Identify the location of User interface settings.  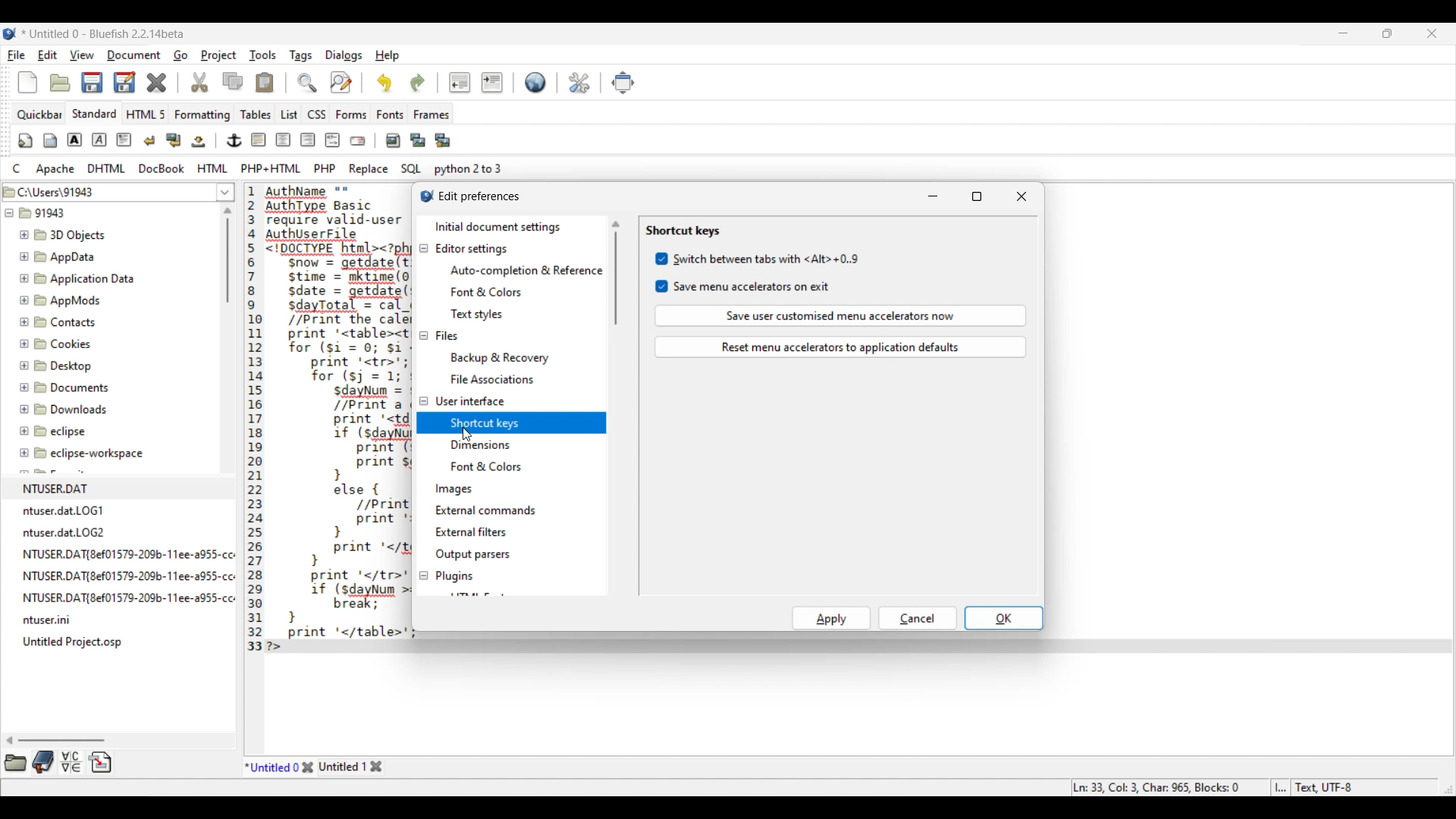
(469, 400).